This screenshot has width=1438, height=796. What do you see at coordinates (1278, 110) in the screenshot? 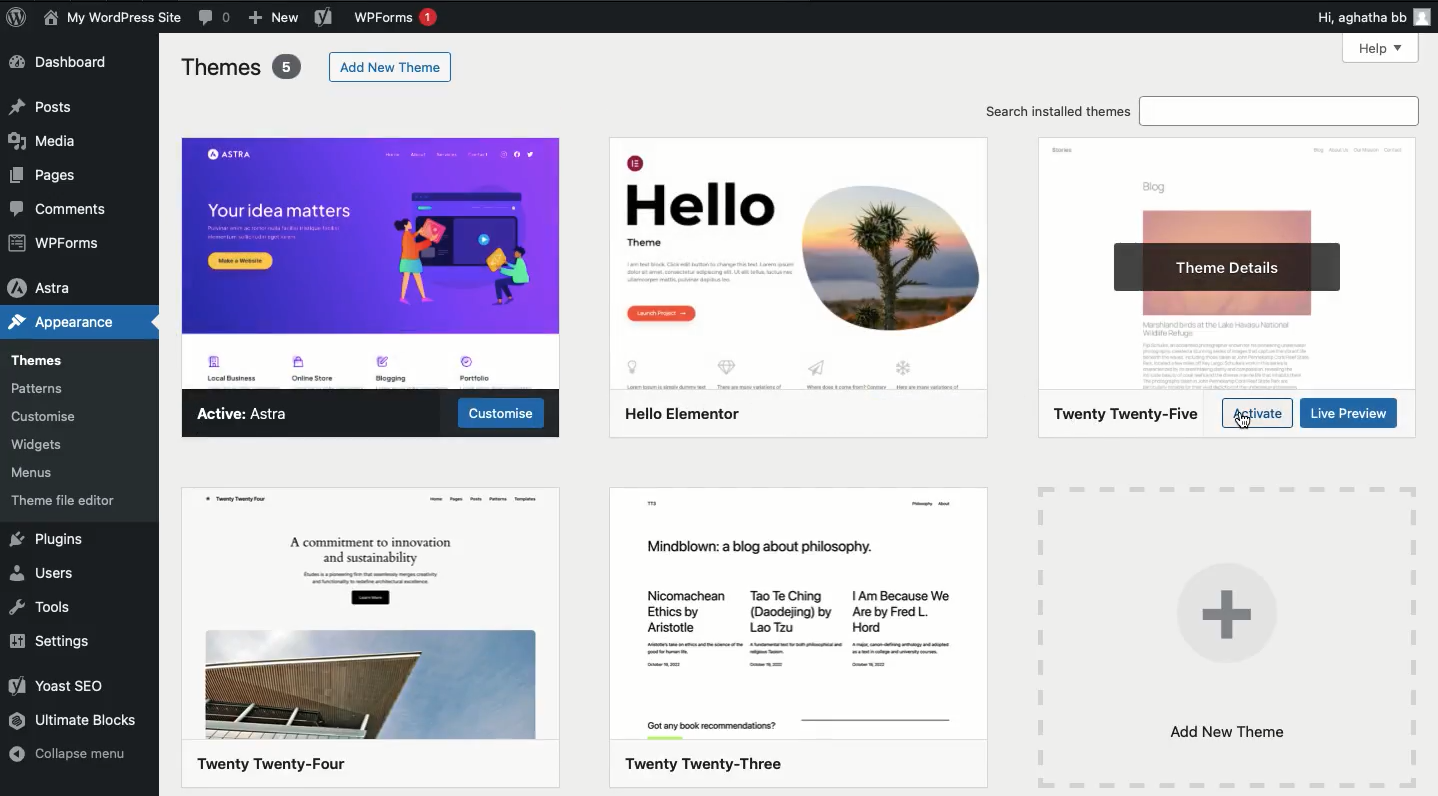
I see `search` at bounding box center [1278, 110].